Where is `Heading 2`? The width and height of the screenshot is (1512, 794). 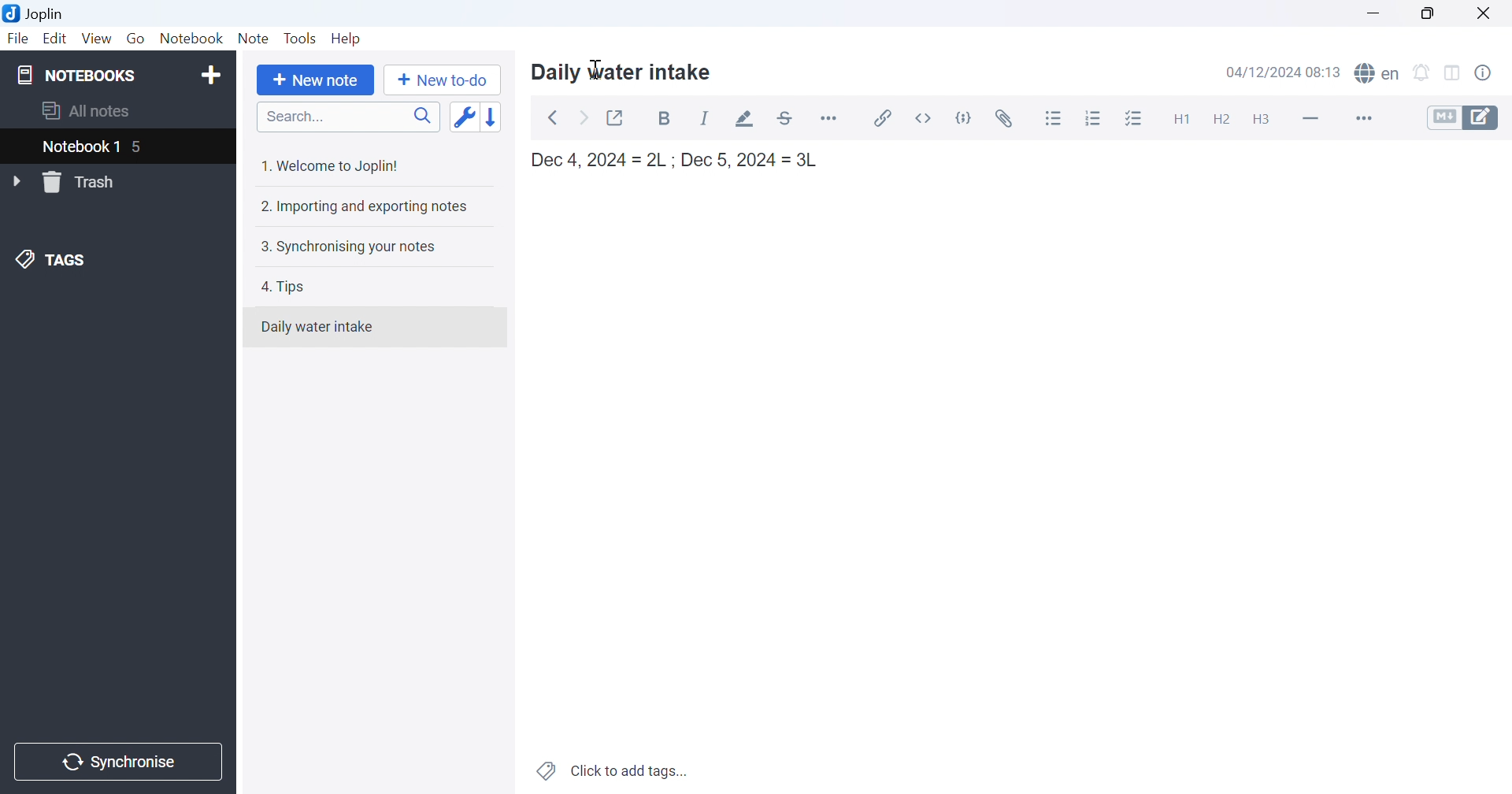 Heading 2 is located at coordinates (1223, 118).